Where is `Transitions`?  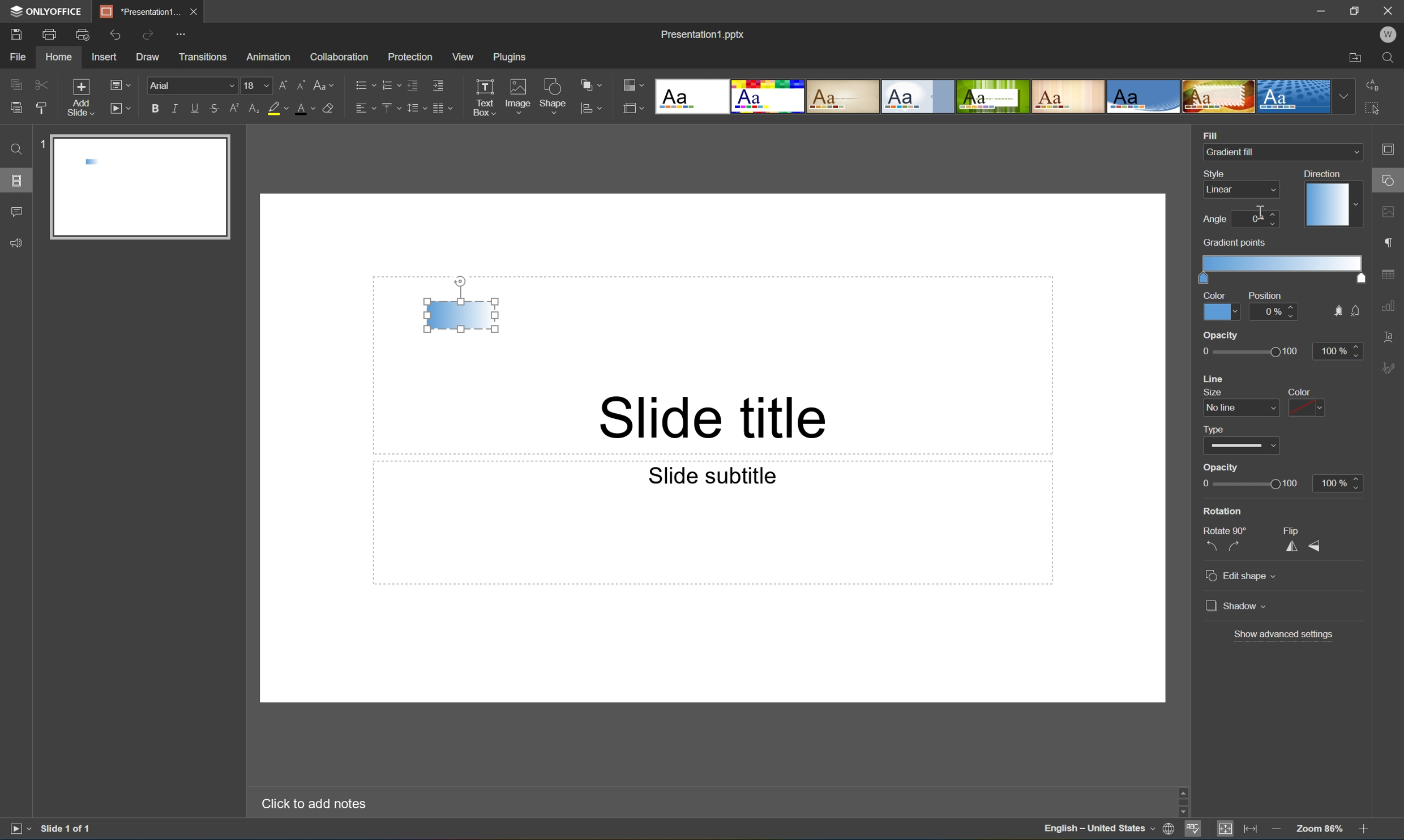
Transitions is located at coordinates (202, 56).